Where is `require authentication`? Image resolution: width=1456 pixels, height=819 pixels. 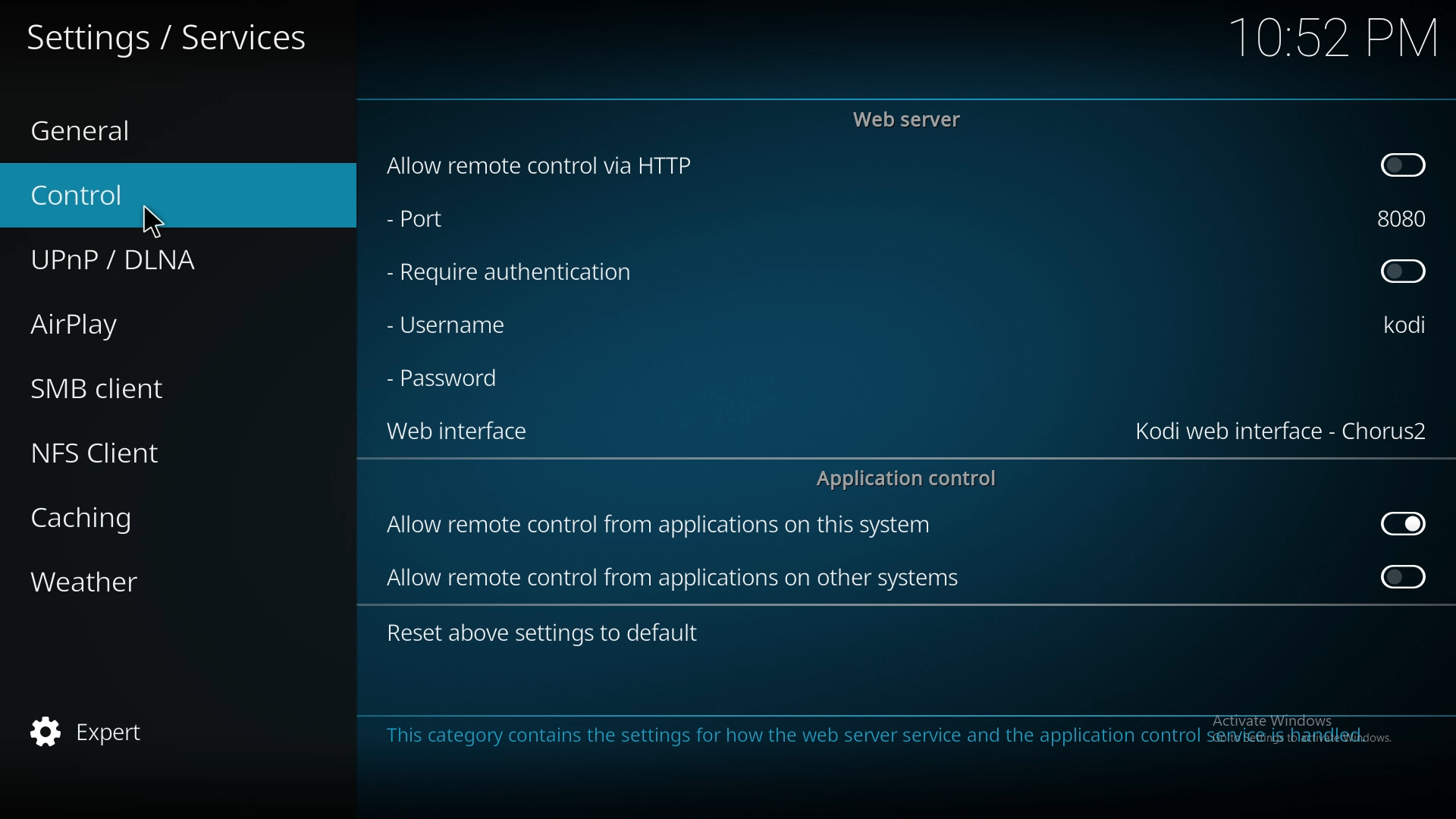
require authentication is located at coordinates (511, 273).